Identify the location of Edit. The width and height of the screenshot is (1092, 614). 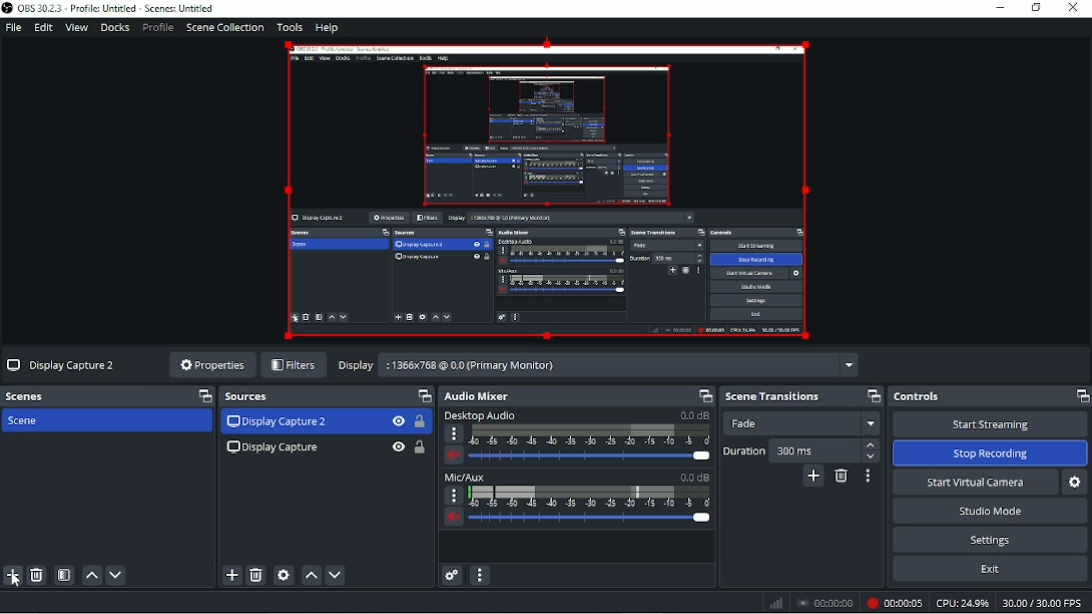
(44, 28).